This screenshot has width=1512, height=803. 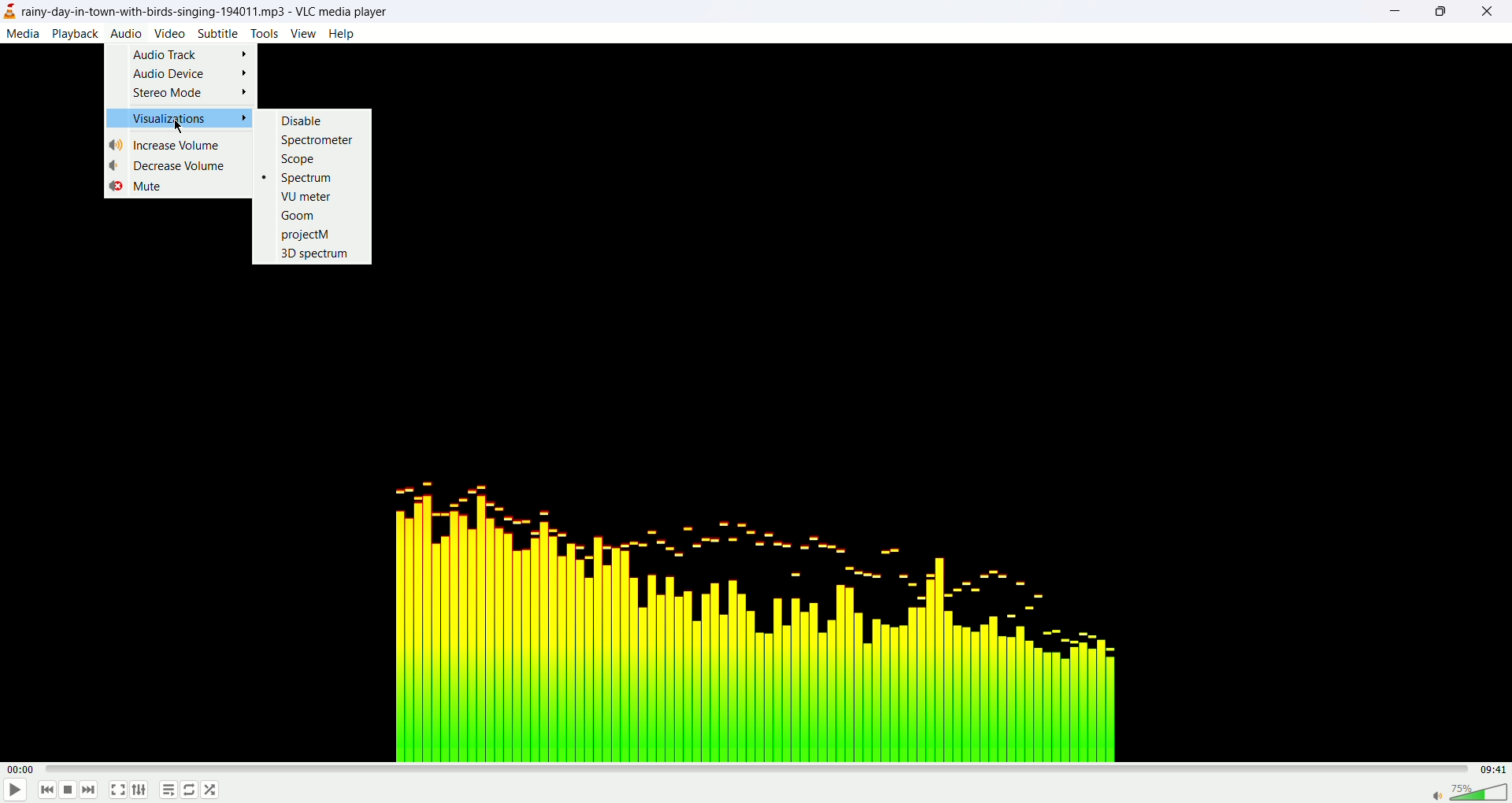 What do you see at coordinates (190, 94) in the screenshot?
I see `stereo mode` at bounding box center [190, 94].